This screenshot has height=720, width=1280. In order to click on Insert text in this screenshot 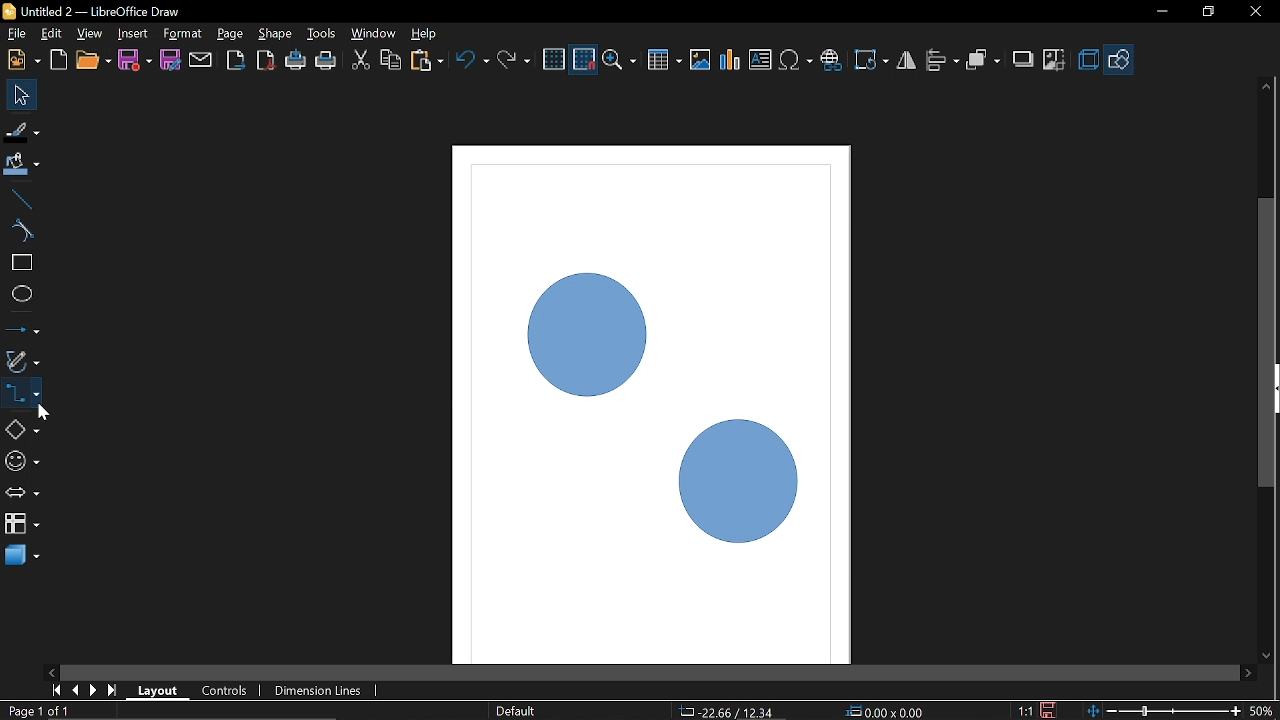, I will do `click(762, 61)`.